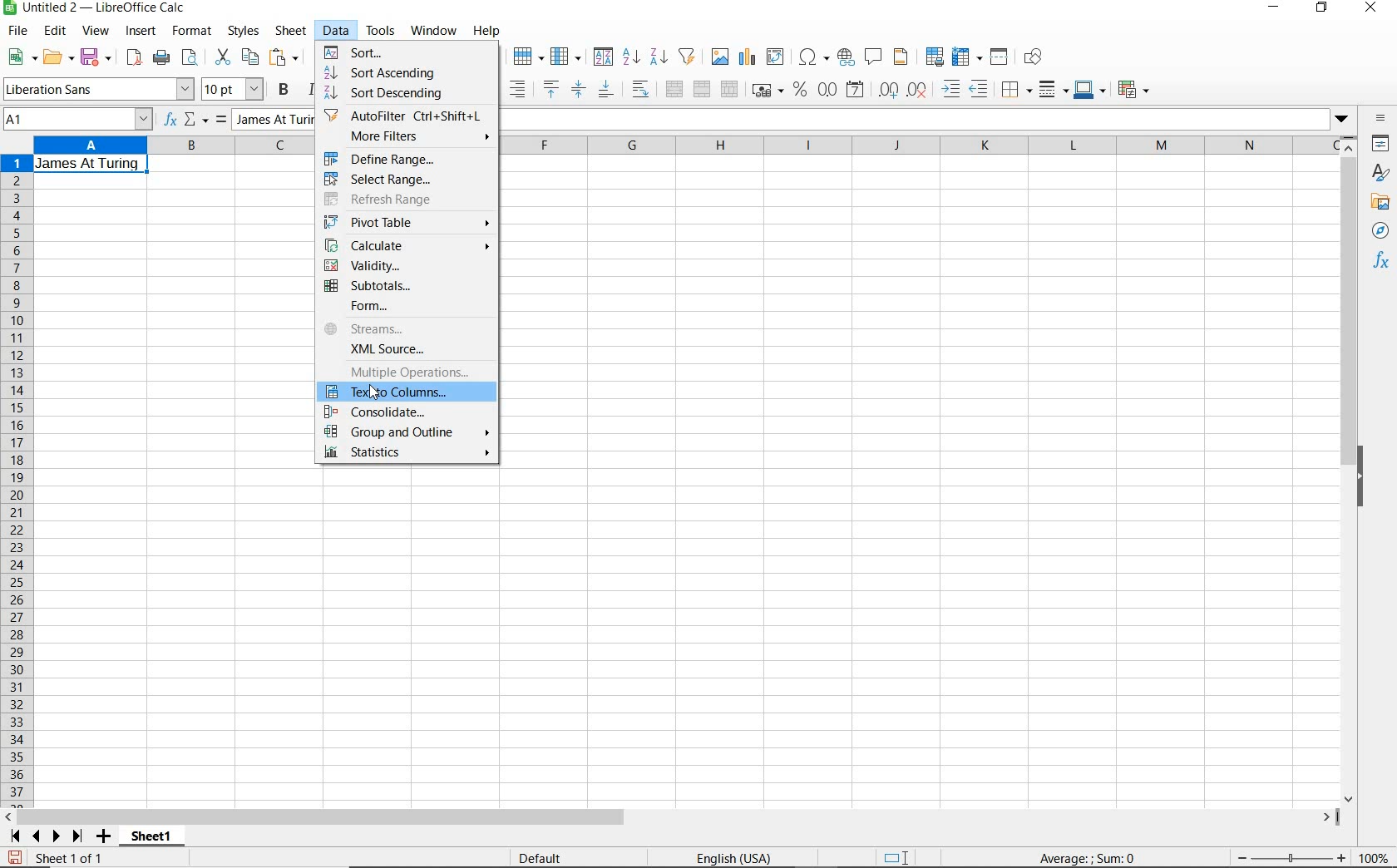 The height and width of the screenshot is (868, 1397). I want to click on wrap text, so click(640, 91).